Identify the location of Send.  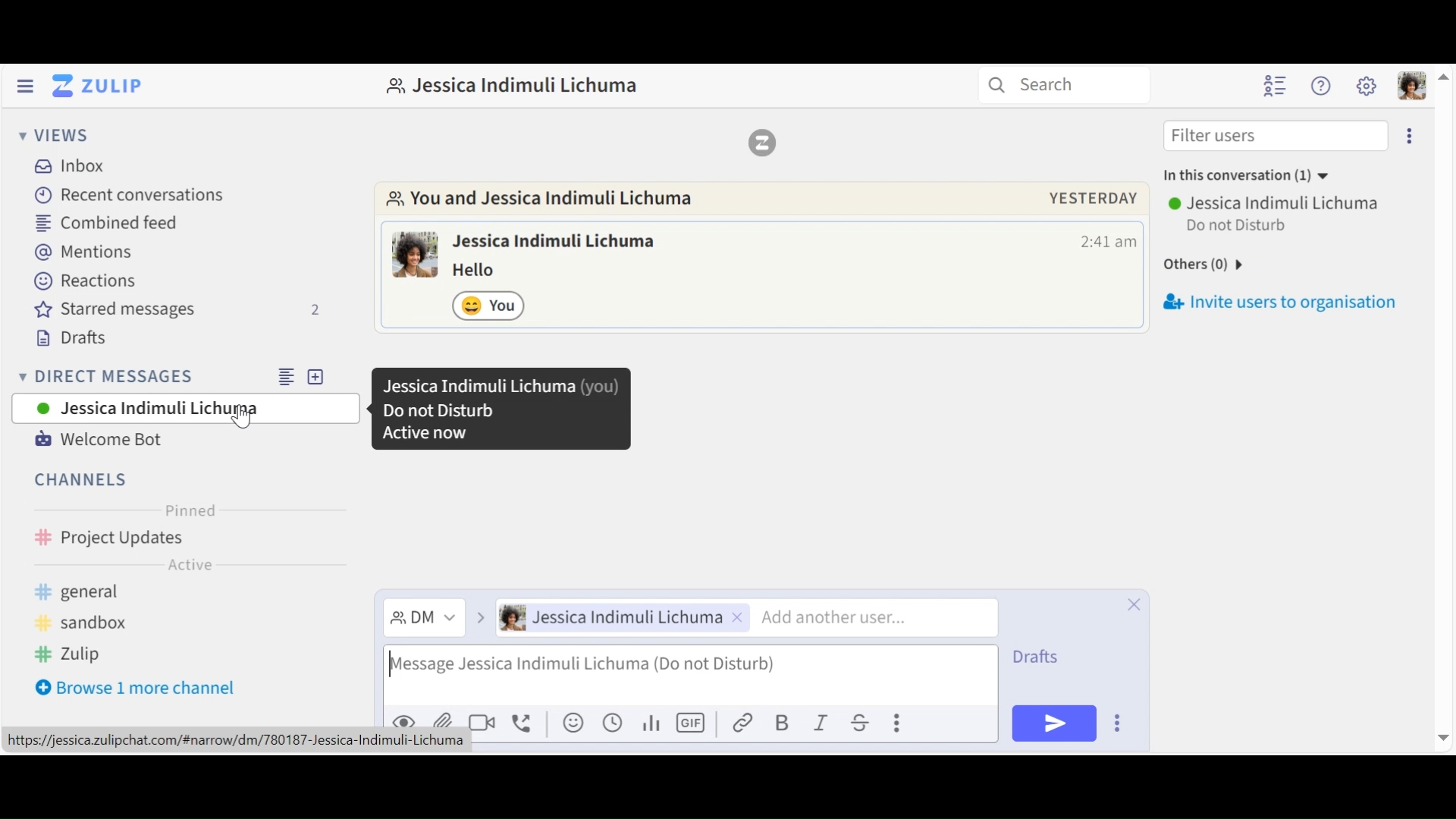
(1053, 723).